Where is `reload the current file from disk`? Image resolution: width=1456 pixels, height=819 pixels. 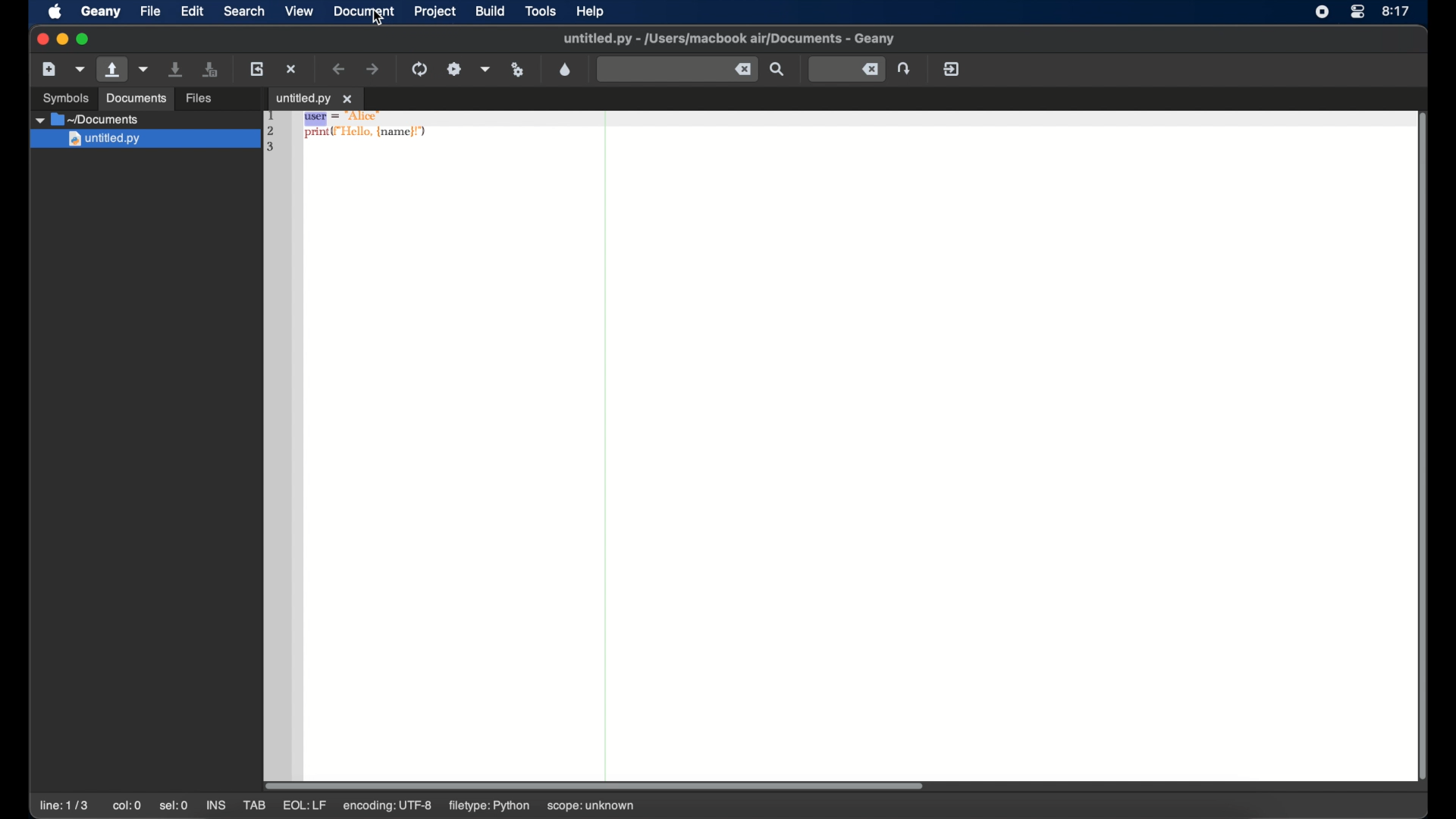
reload the current file from disk is located at coordinates (256, 68).